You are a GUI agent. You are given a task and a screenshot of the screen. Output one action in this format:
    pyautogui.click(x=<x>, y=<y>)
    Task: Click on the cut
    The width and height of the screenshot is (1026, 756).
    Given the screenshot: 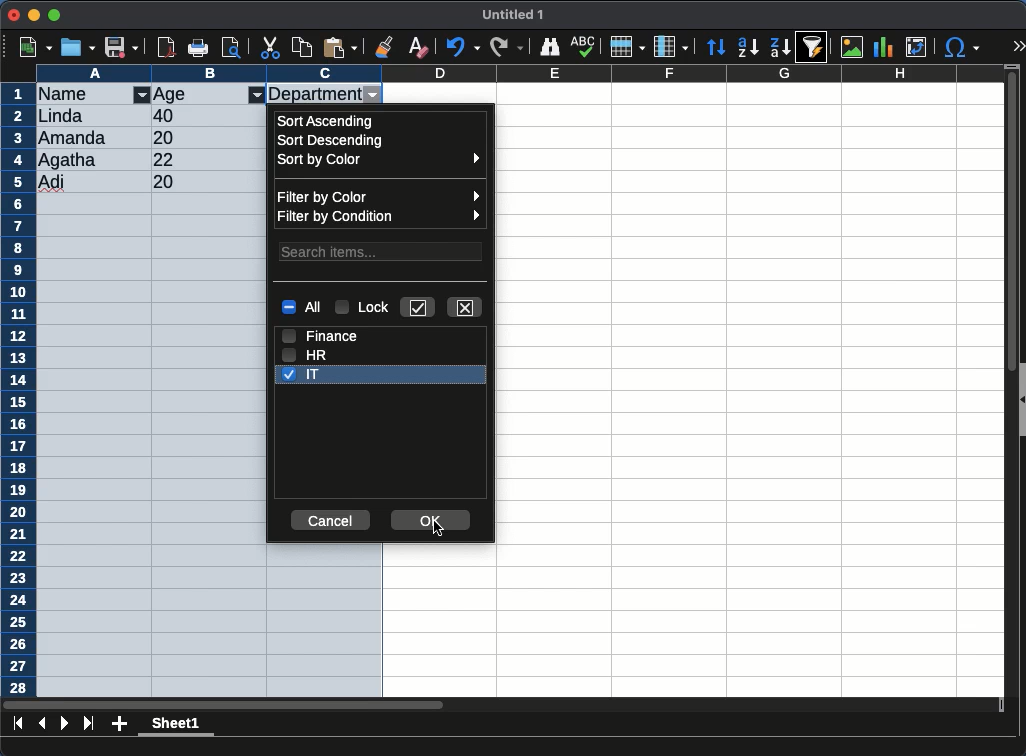 What is the action you would take?
    pyautogui.click(x=271, y=47)
    